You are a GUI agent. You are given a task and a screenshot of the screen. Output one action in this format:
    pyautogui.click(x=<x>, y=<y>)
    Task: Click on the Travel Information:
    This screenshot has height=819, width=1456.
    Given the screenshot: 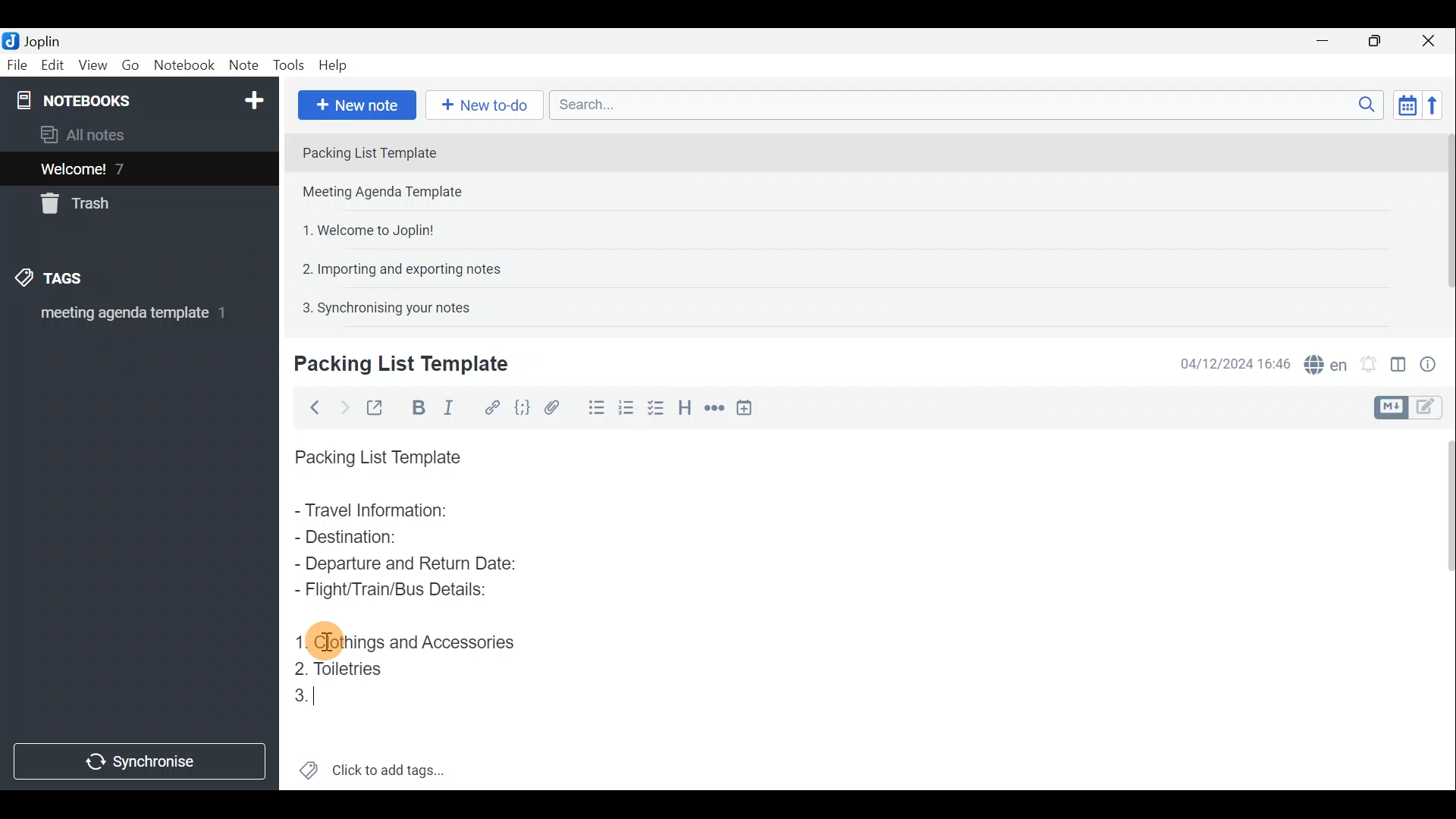 What is the action you would take?
    pyautogui.click(x=384, y=512)
    